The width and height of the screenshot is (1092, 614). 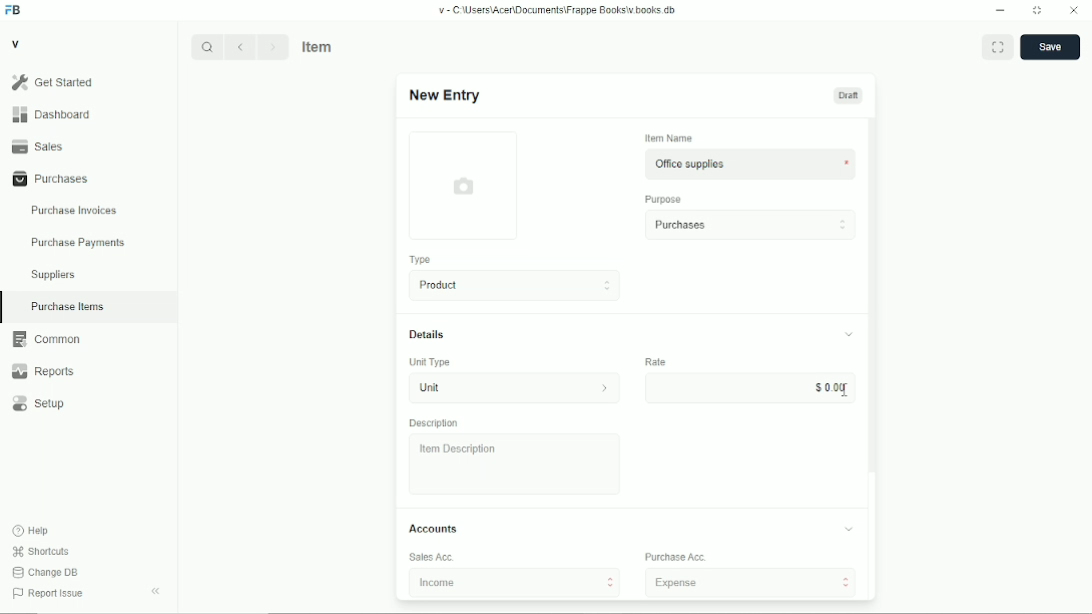 What do you see at coordinates (490, 388) in the screenshot?
I see `unit` at bounding box center [490, 388].